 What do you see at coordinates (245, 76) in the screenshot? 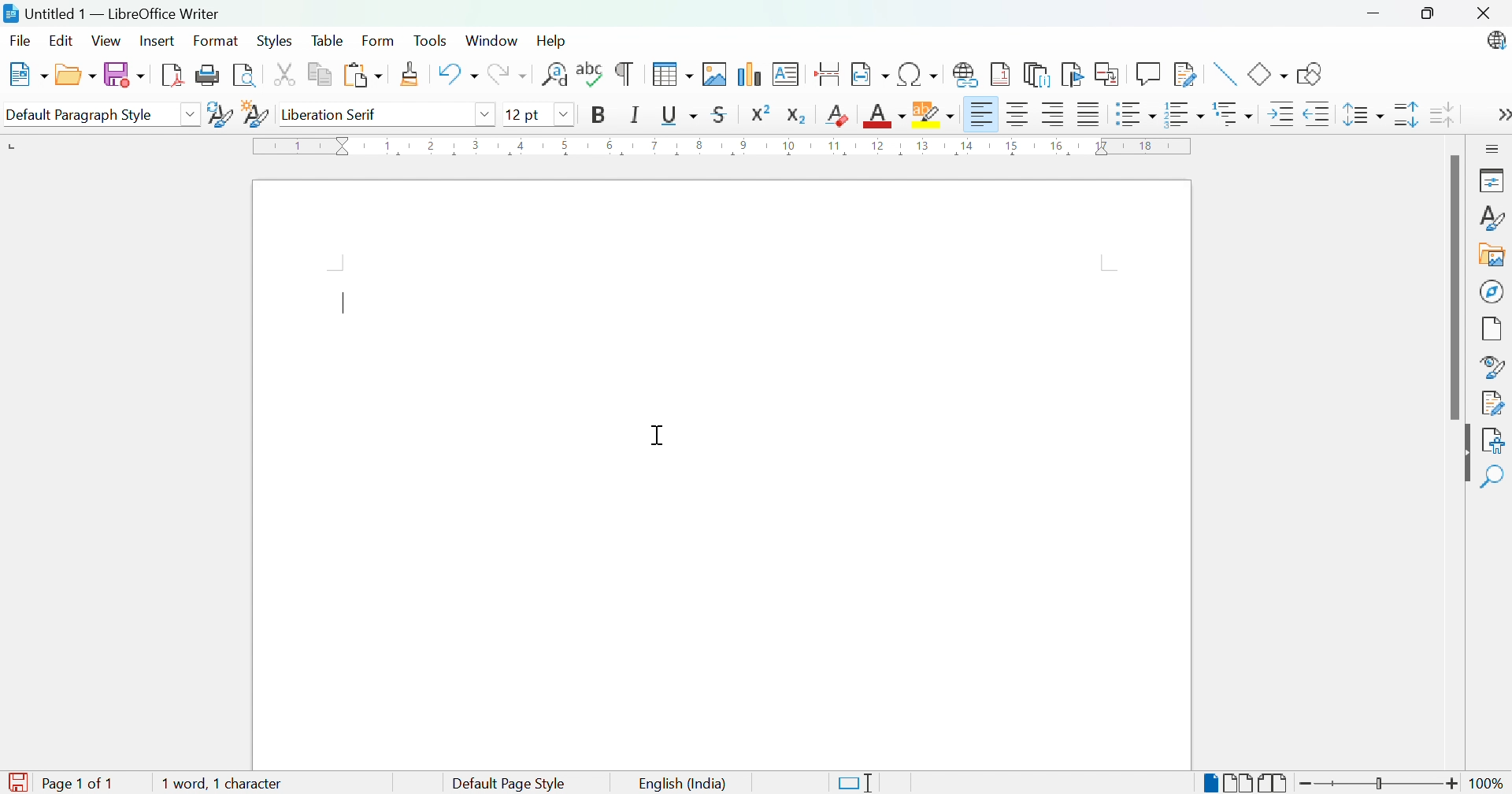
I see `Toggle print preview` at bounding box center [245, 76].